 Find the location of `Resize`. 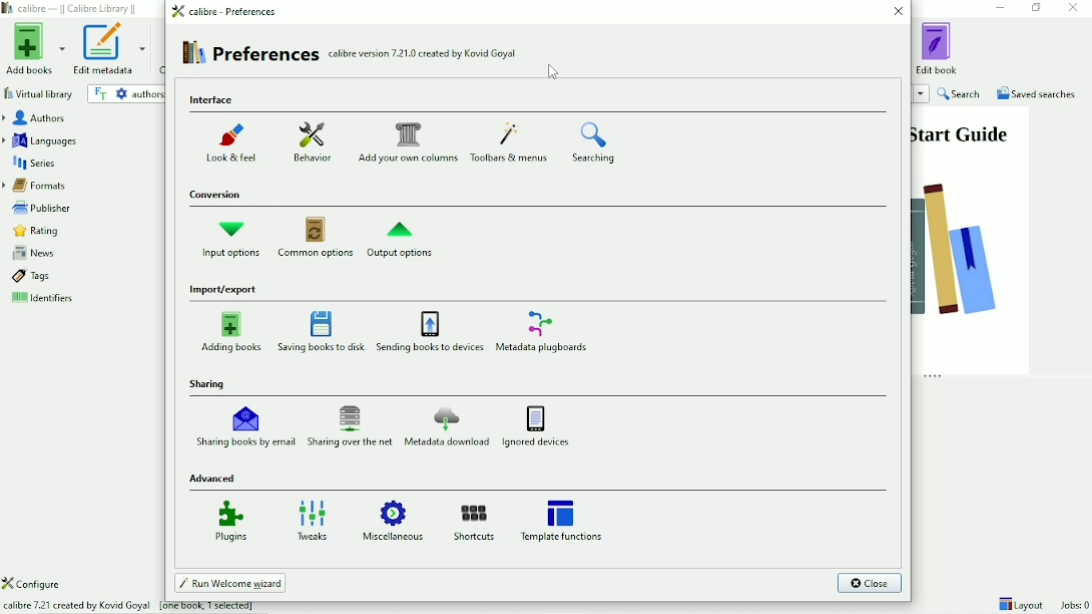

Resize is located at coordinates (934, 378).